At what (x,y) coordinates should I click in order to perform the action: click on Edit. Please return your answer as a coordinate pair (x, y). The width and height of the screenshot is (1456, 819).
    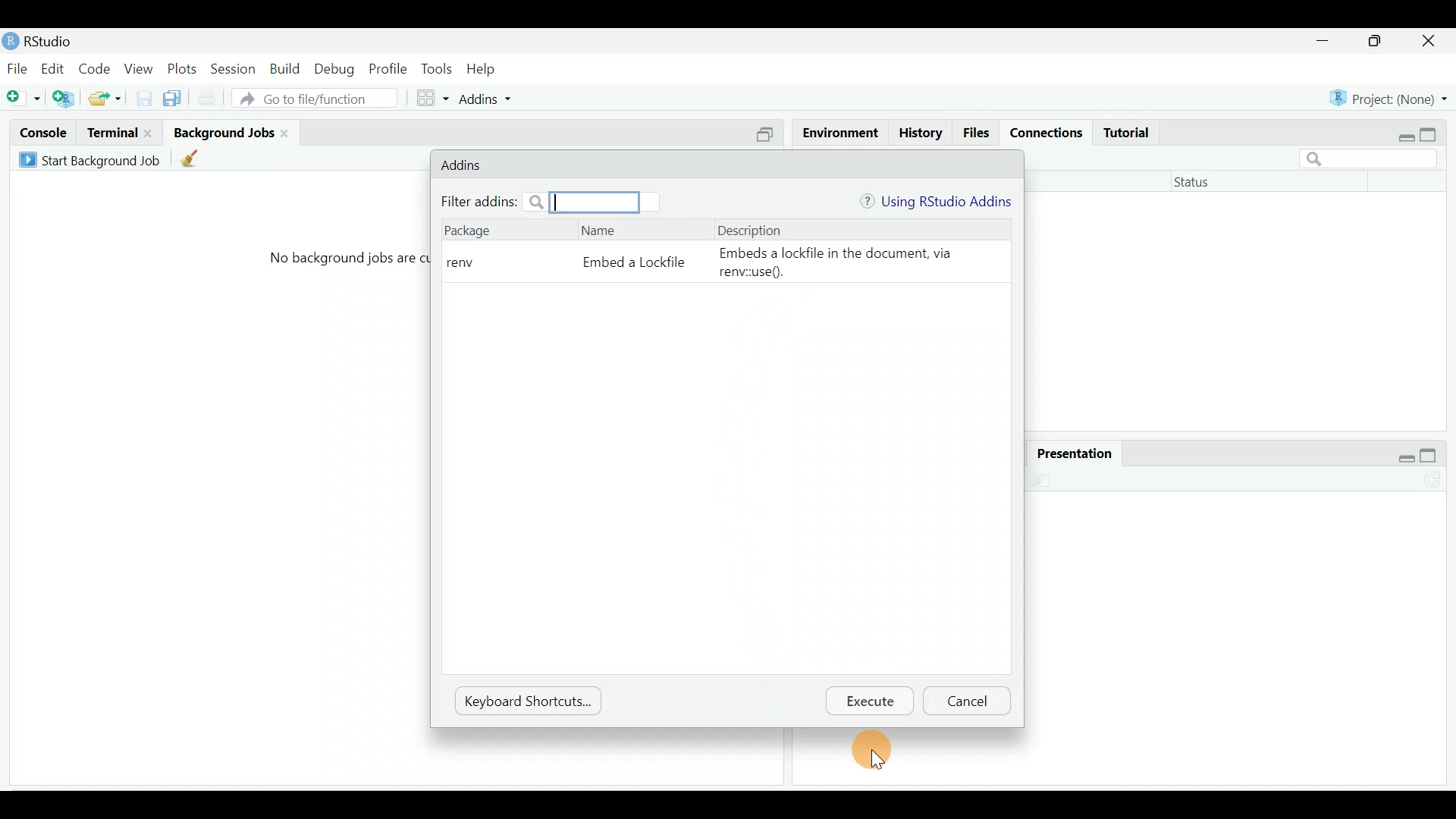
    Looking at the image, I should click on (992, 482).